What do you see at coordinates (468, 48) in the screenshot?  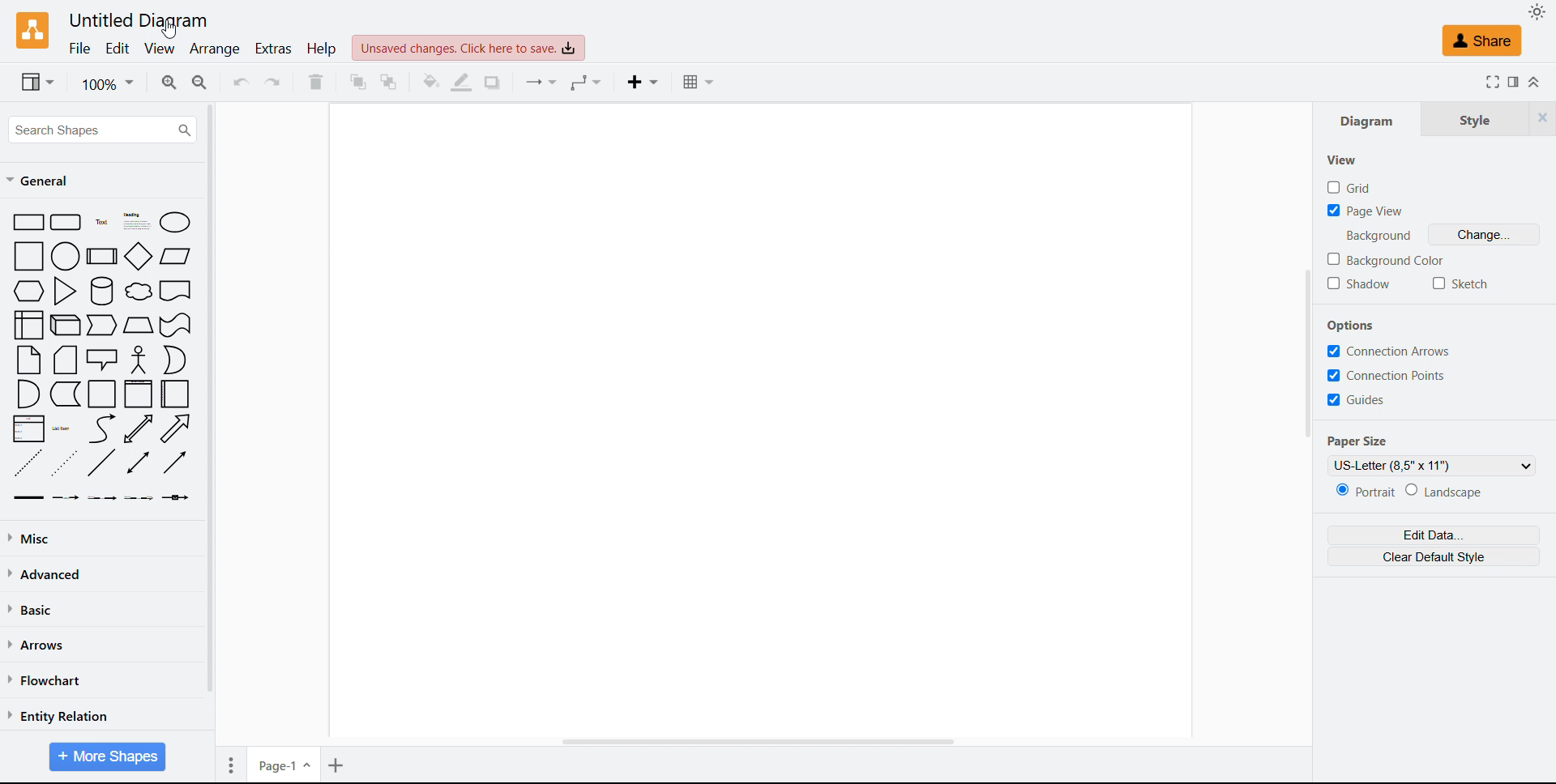 I see `Unsaved changes click here to save ` at bounding box center [468, 48].